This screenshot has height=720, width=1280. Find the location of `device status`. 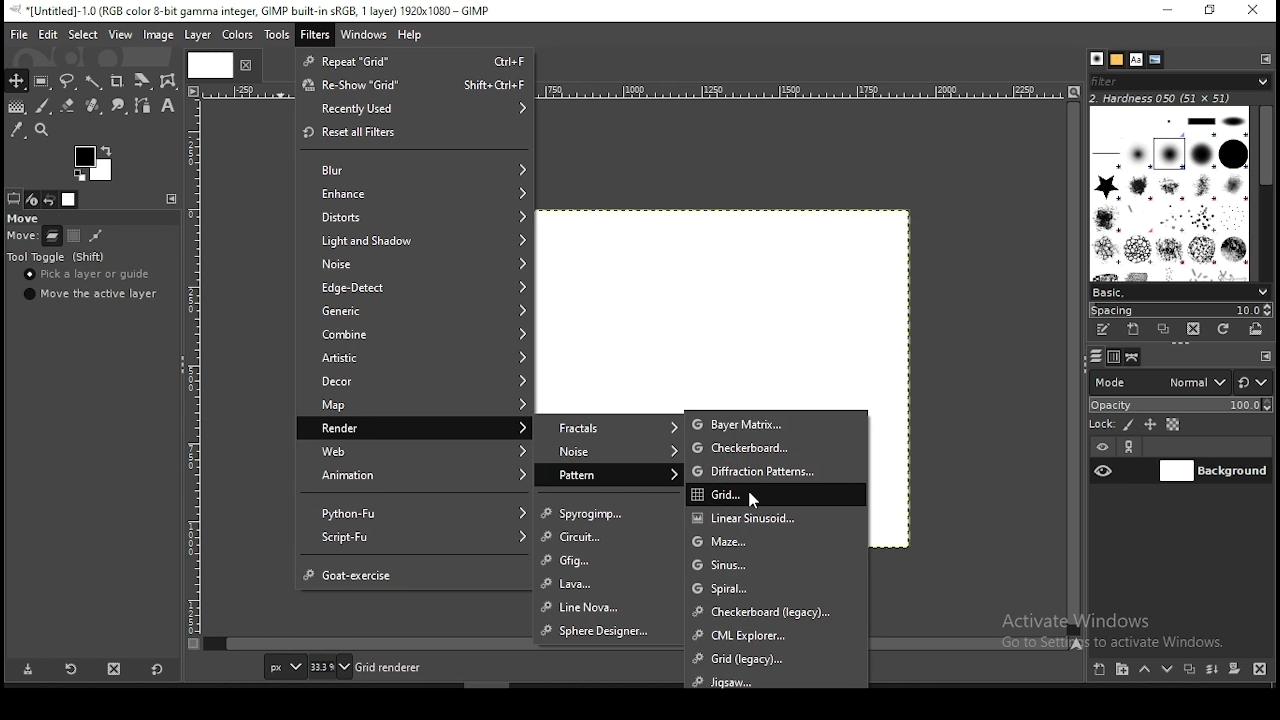

device status is located at coordinates (32, 199).